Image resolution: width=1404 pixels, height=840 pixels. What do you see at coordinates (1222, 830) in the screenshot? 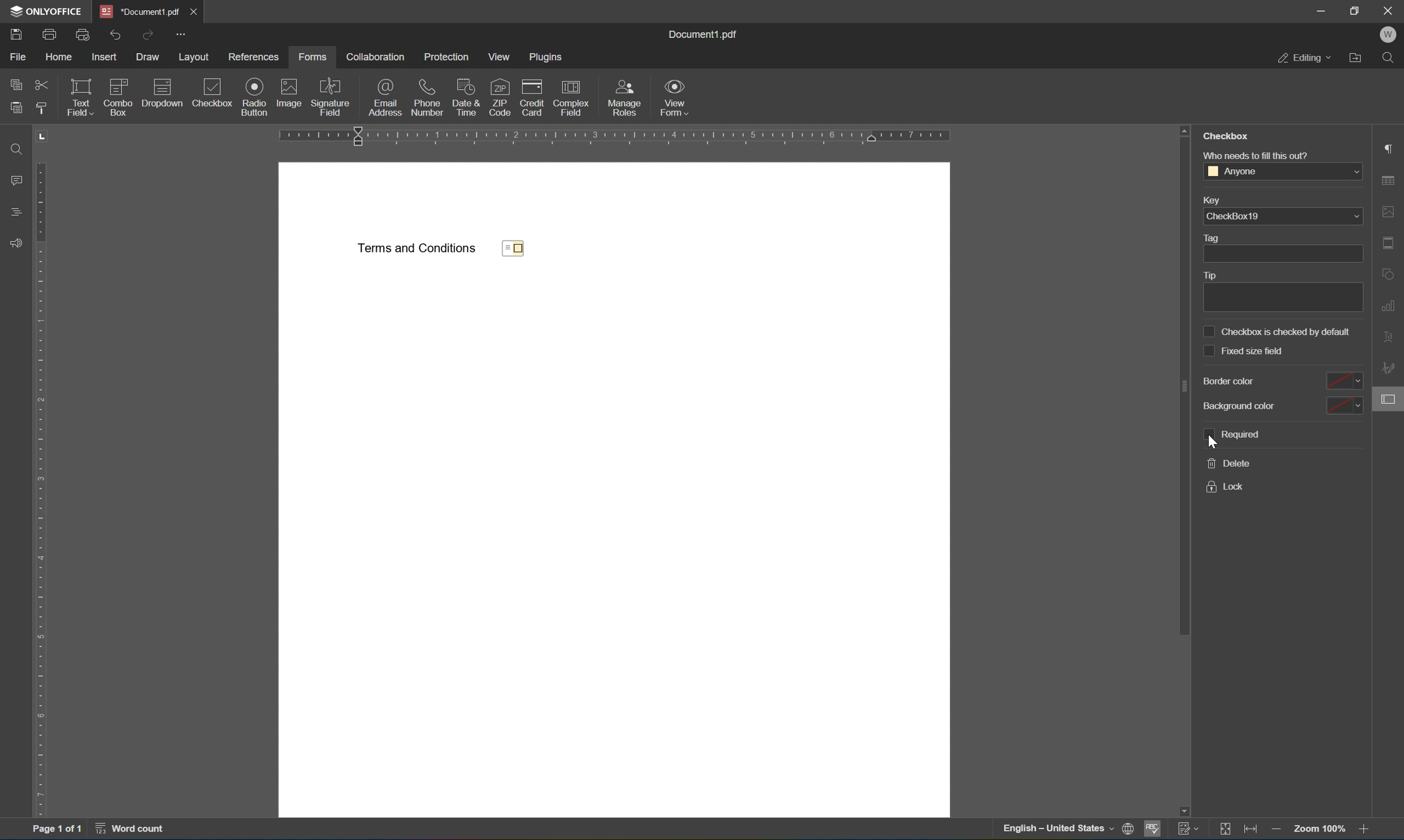
I see `fit to slide` at bounding box center [1222, 830].